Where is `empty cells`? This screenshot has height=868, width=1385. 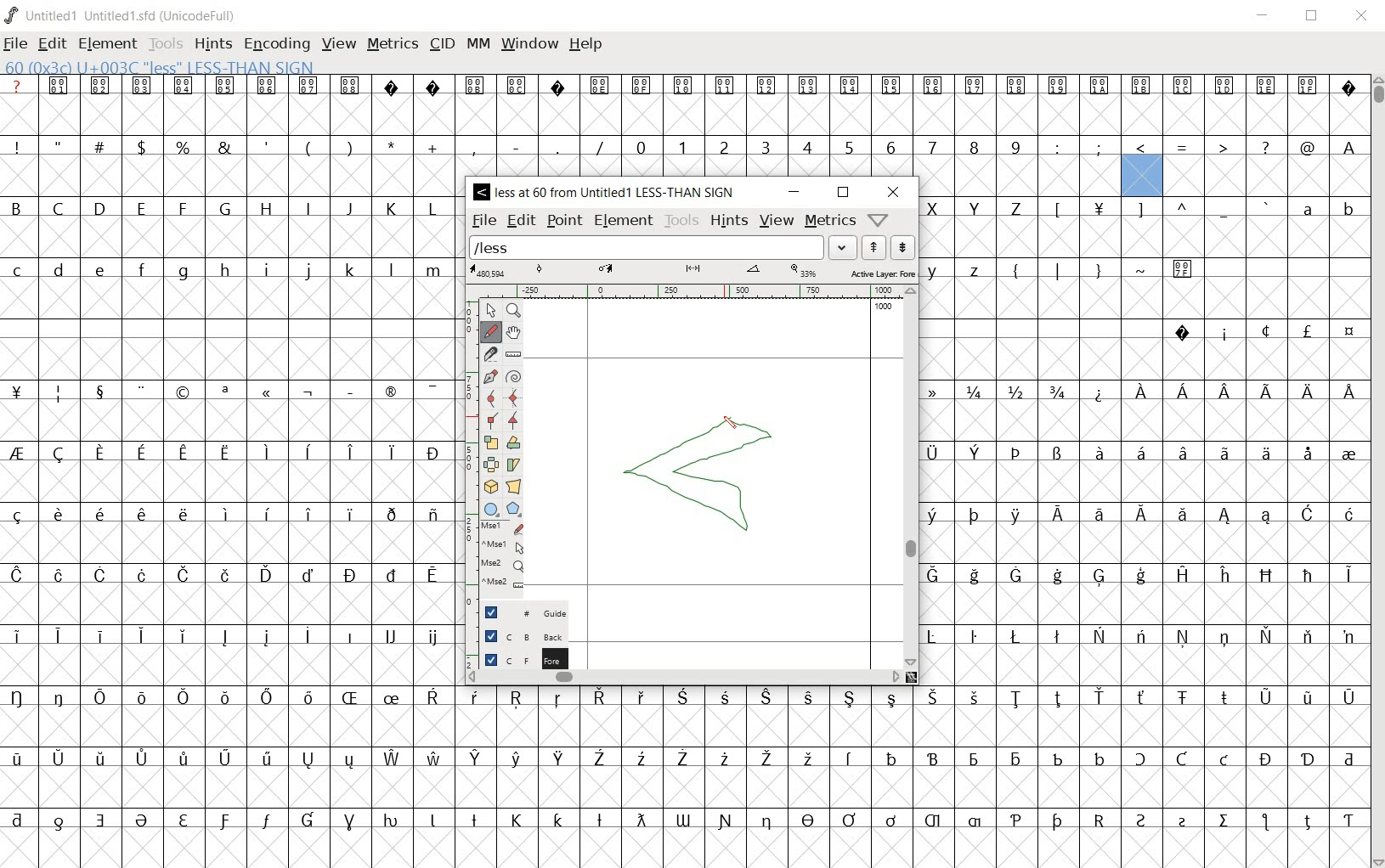
empty cells is located at coordinates (1143, 663).